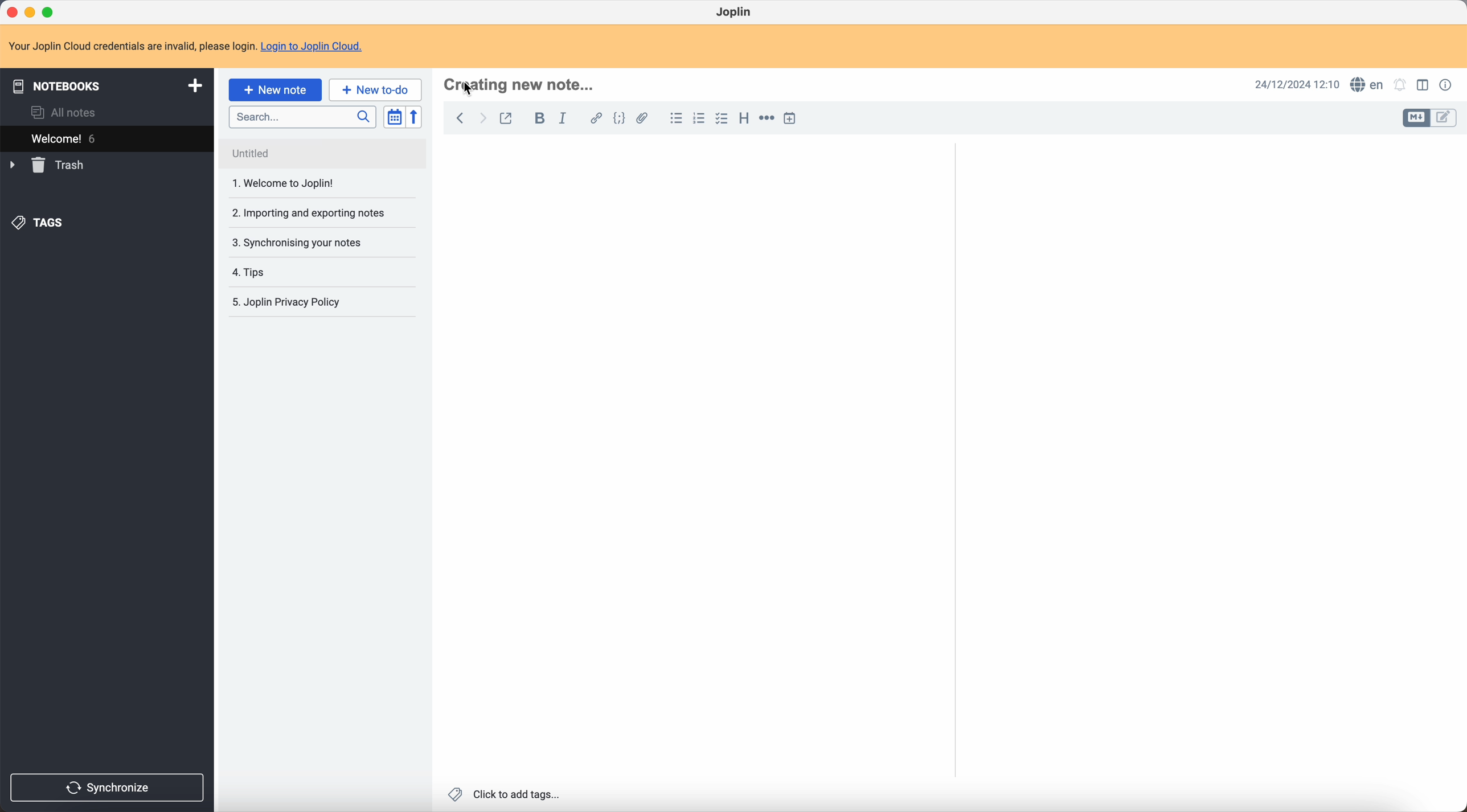 The height and width of the screenshot is (812, 1467). Describe the element at coordinates (481, 120) in the screenshot. I see `foward` at that location.